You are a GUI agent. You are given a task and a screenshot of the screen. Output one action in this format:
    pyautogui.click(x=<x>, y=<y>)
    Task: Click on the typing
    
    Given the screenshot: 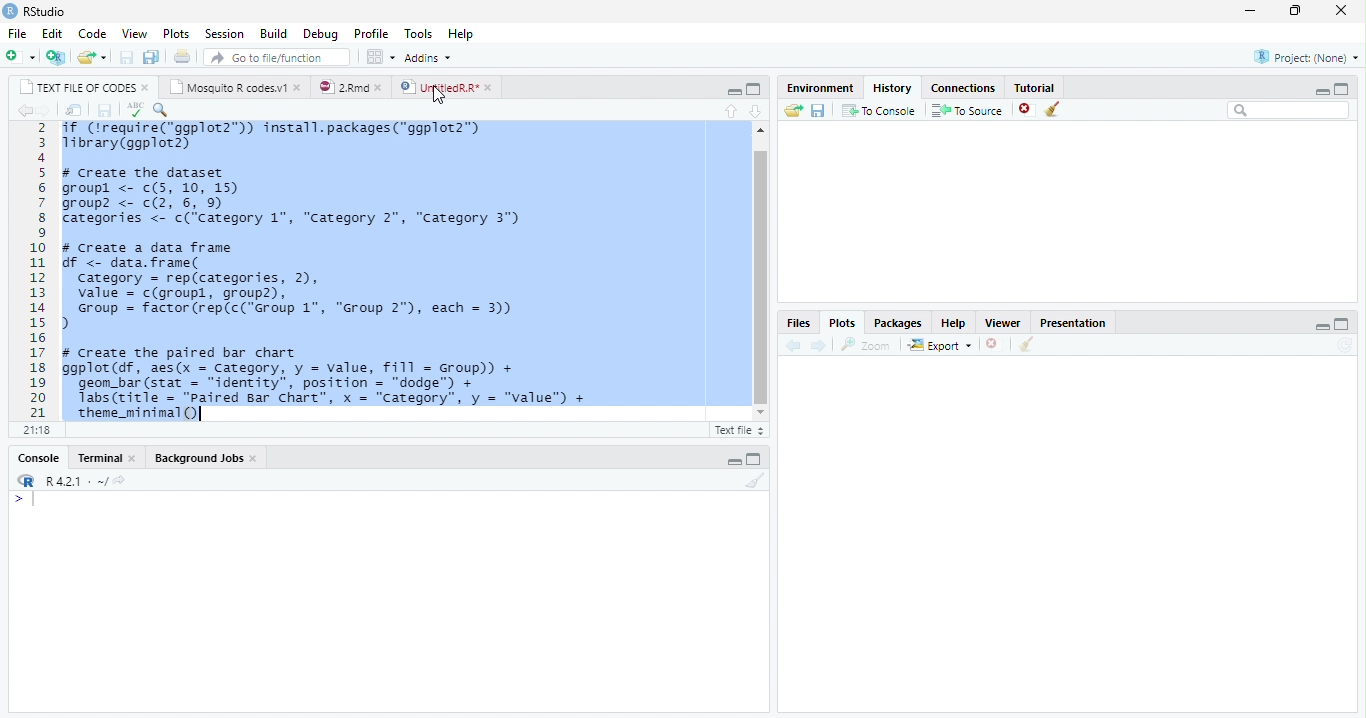 What is the action you would take?
    pyautogui.click(x=23, y=499)
    